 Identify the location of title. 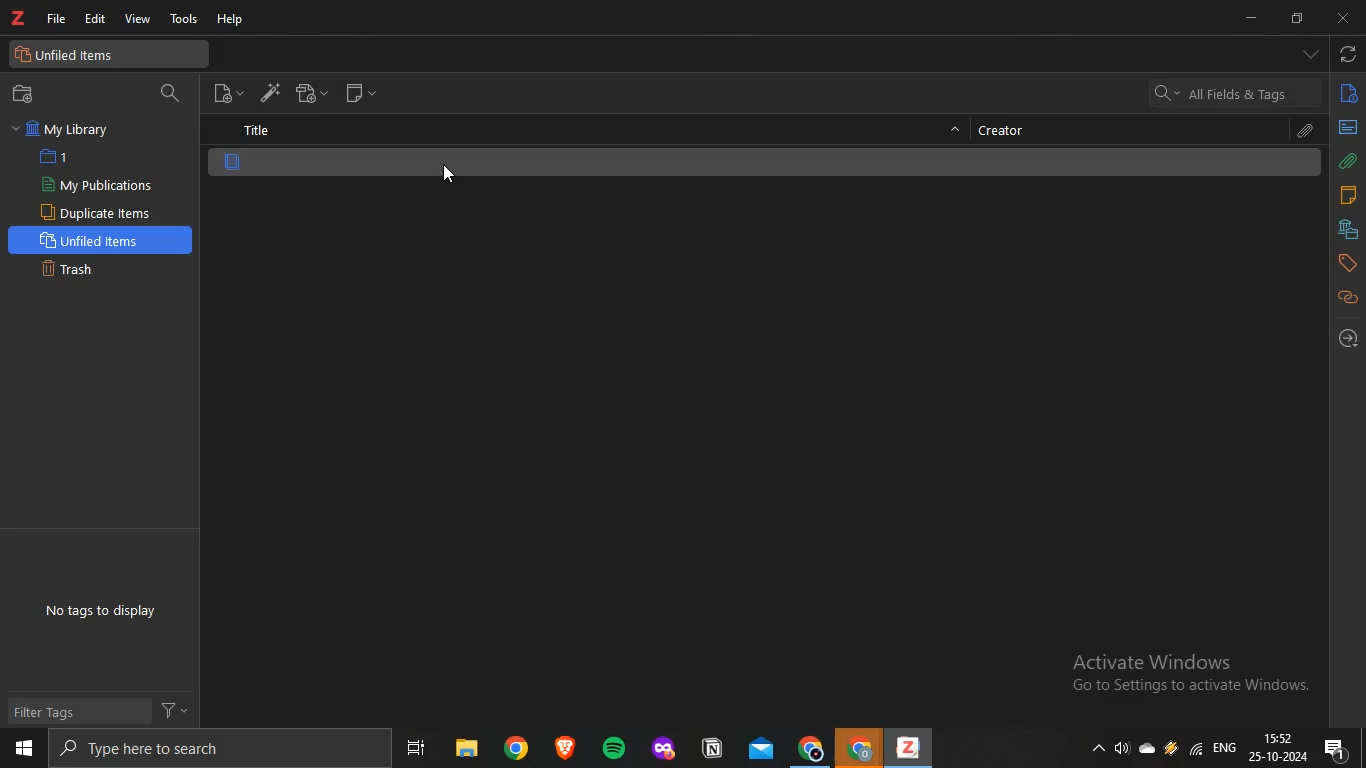
(255, 131).